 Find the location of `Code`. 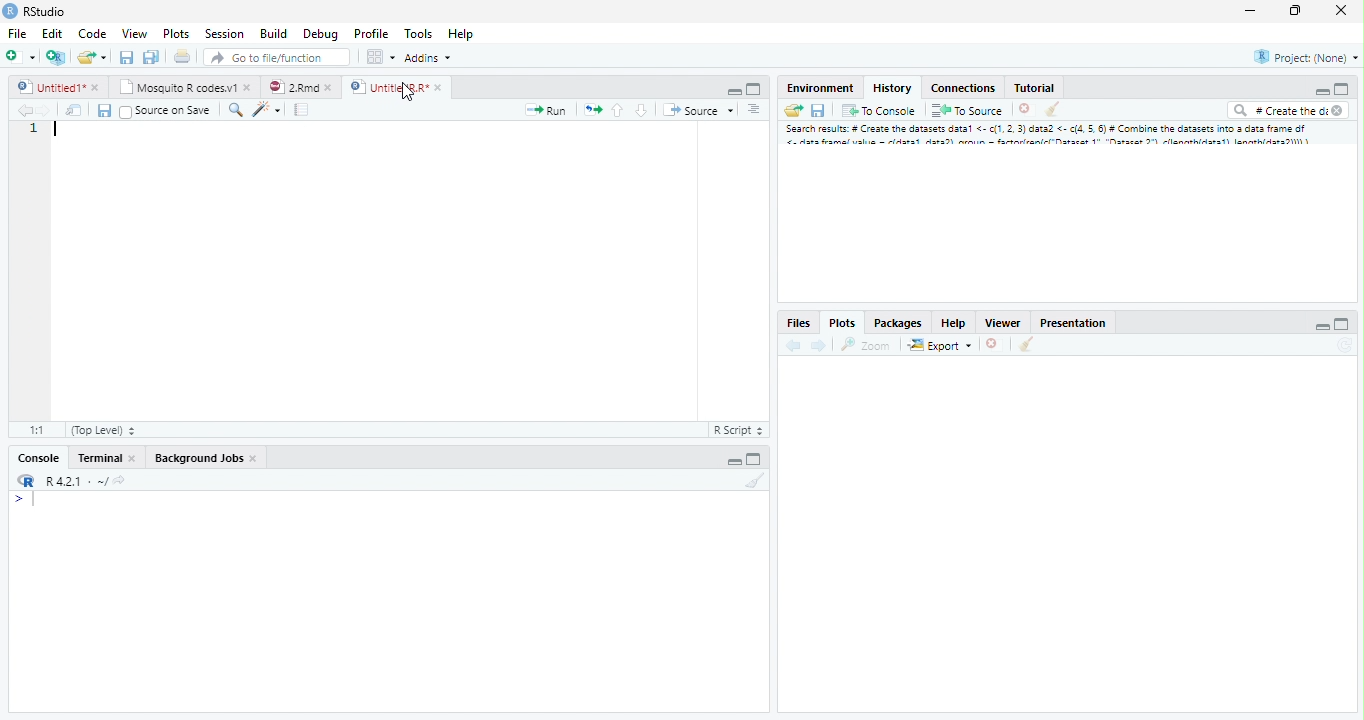

Code is located at coordinates (91, 35).